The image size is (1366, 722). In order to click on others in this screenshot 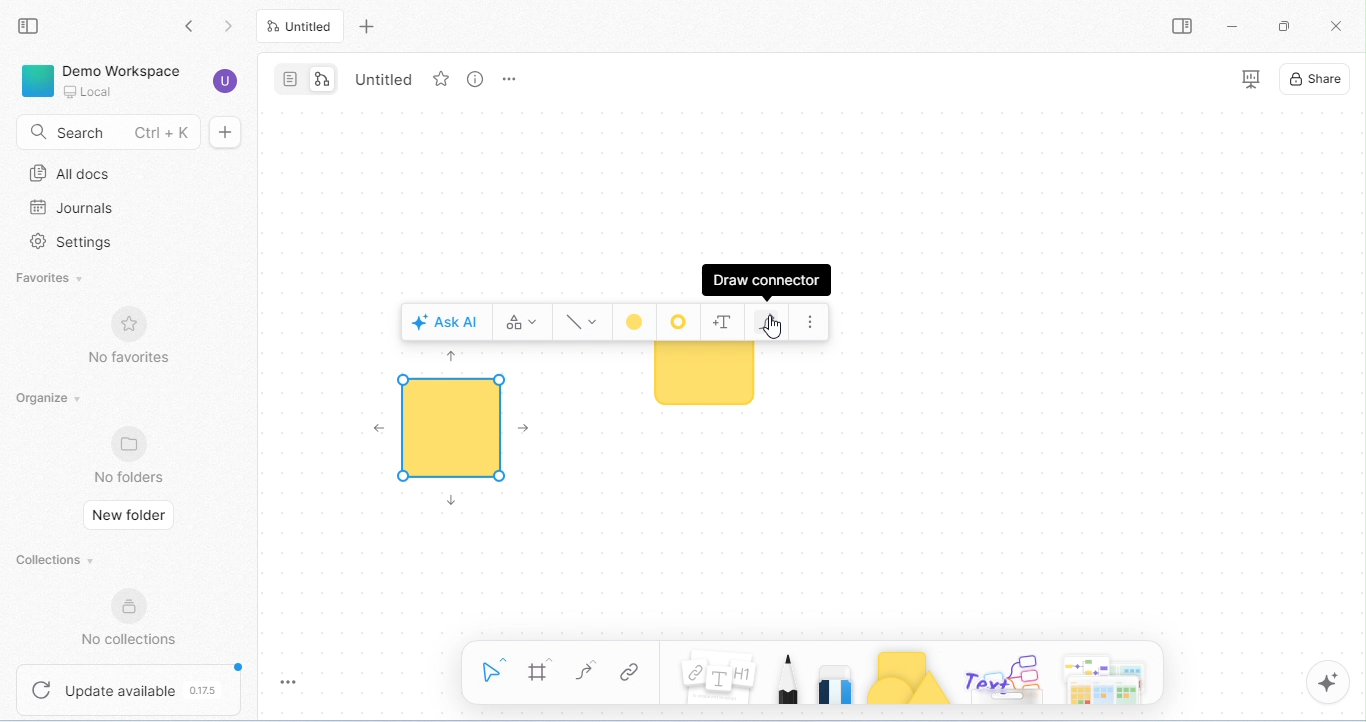, I will do `click(1006, 678)`.